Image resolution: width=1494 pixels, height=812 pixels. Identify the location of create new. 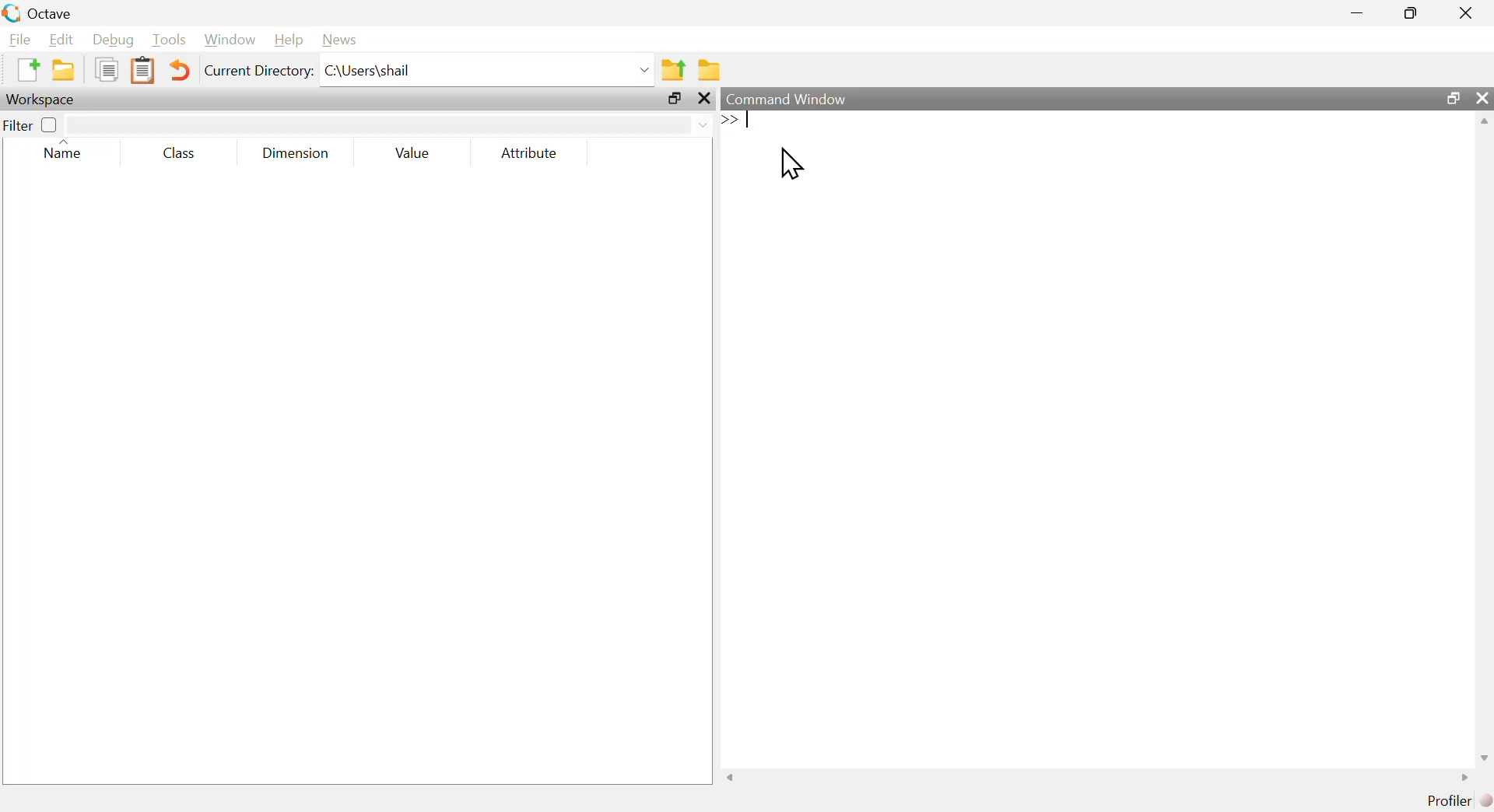
(26, 71).